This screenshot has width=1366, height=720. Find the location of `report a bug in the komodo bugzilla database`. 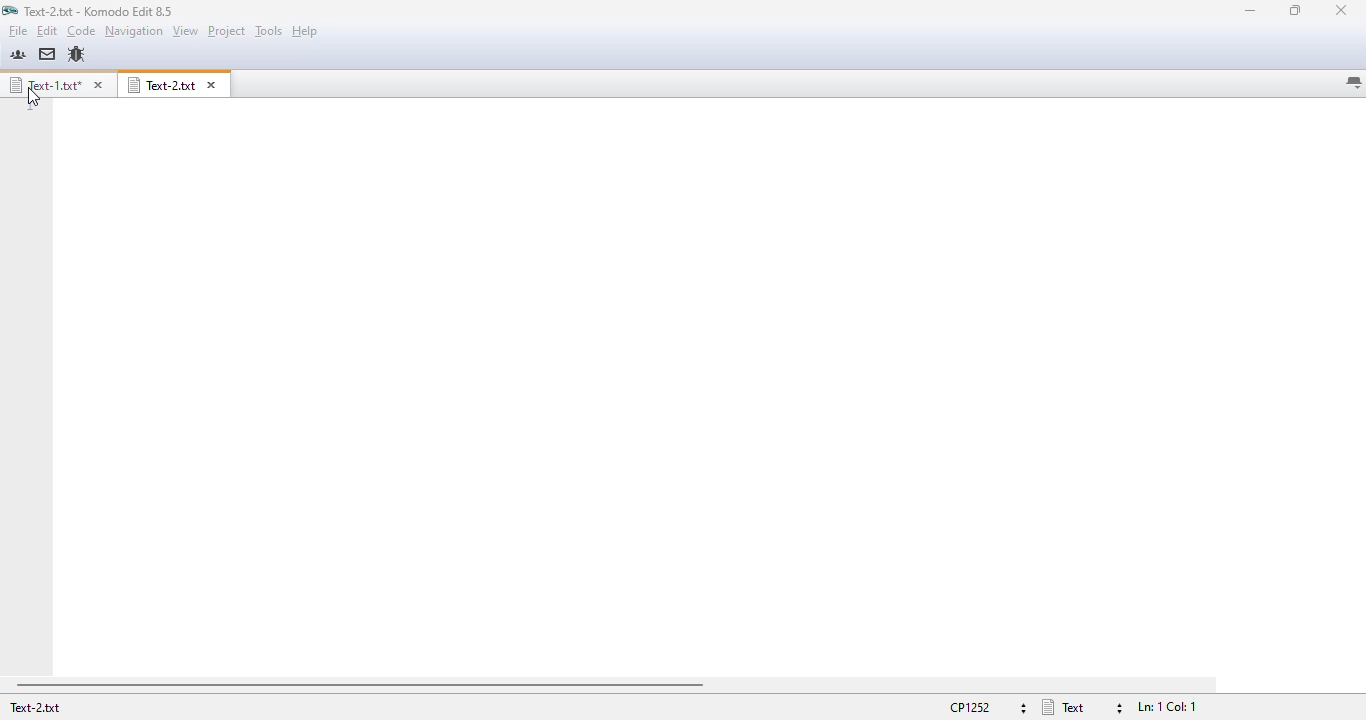

report a bug in the komodo bugzilla database is located at coordinates (76, 55).